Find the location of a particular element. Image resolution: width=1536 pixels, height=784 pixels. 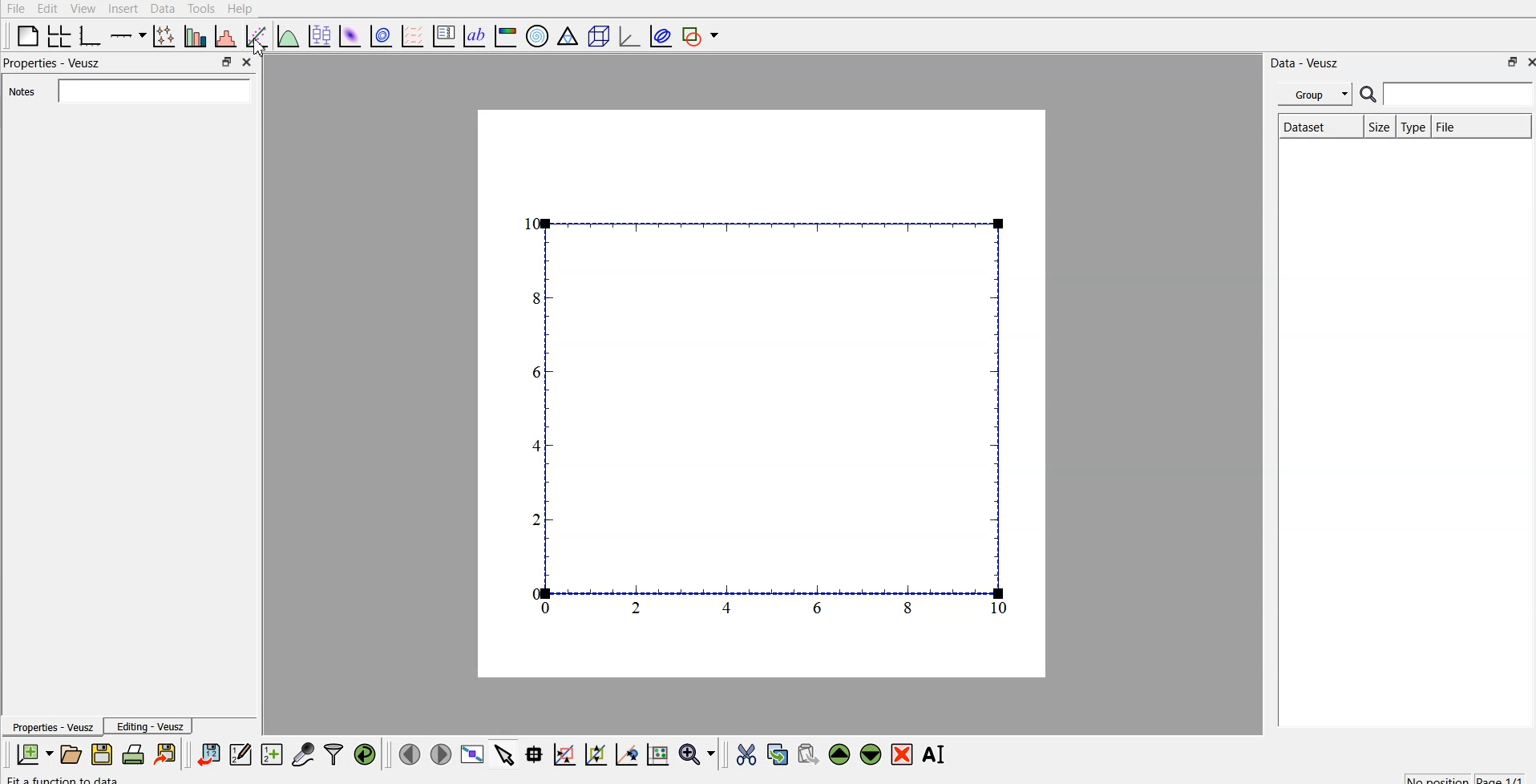

move down the selected widget is located at coordinates (871, 754).